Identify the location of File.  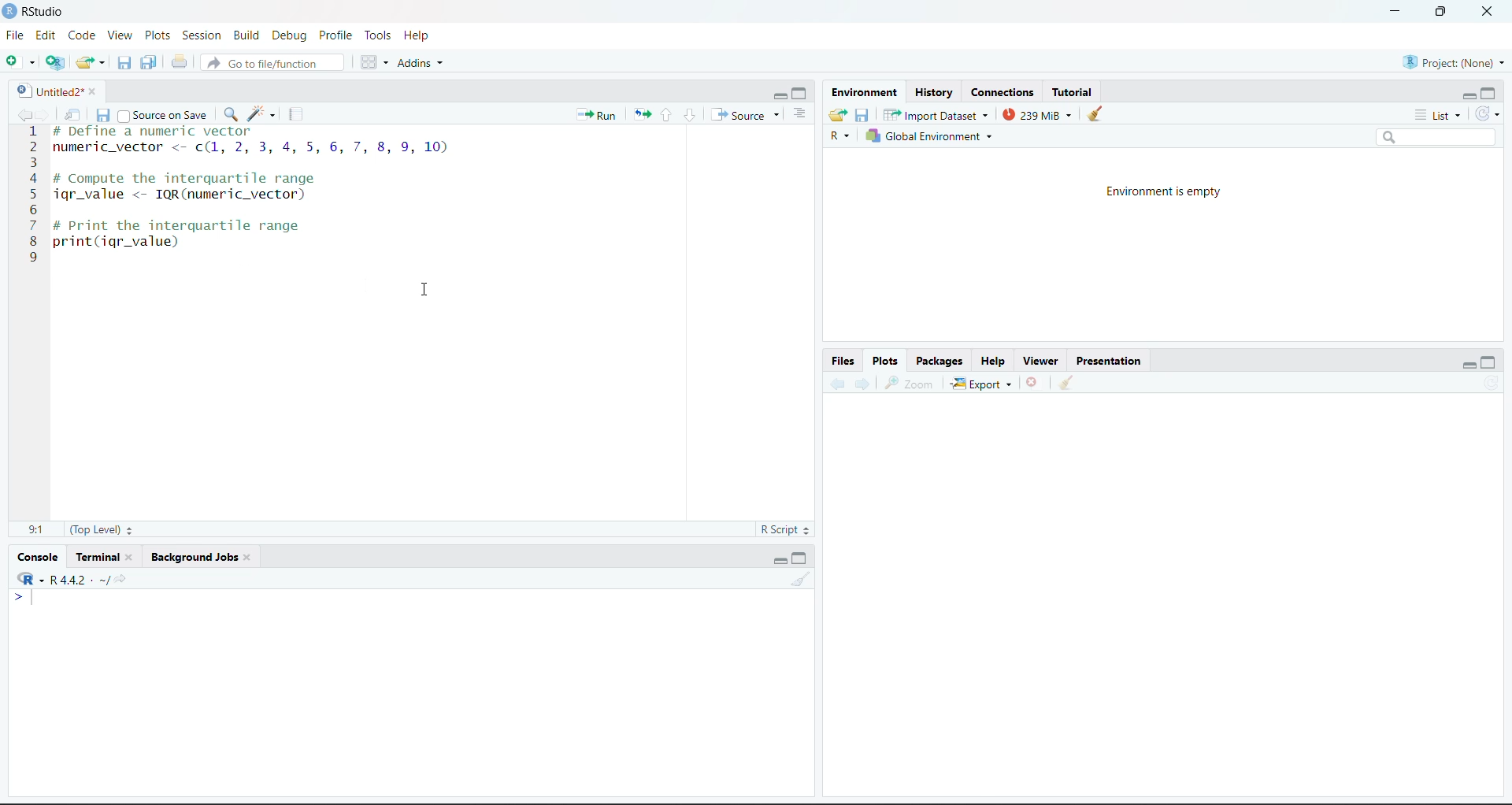
(17, 35).